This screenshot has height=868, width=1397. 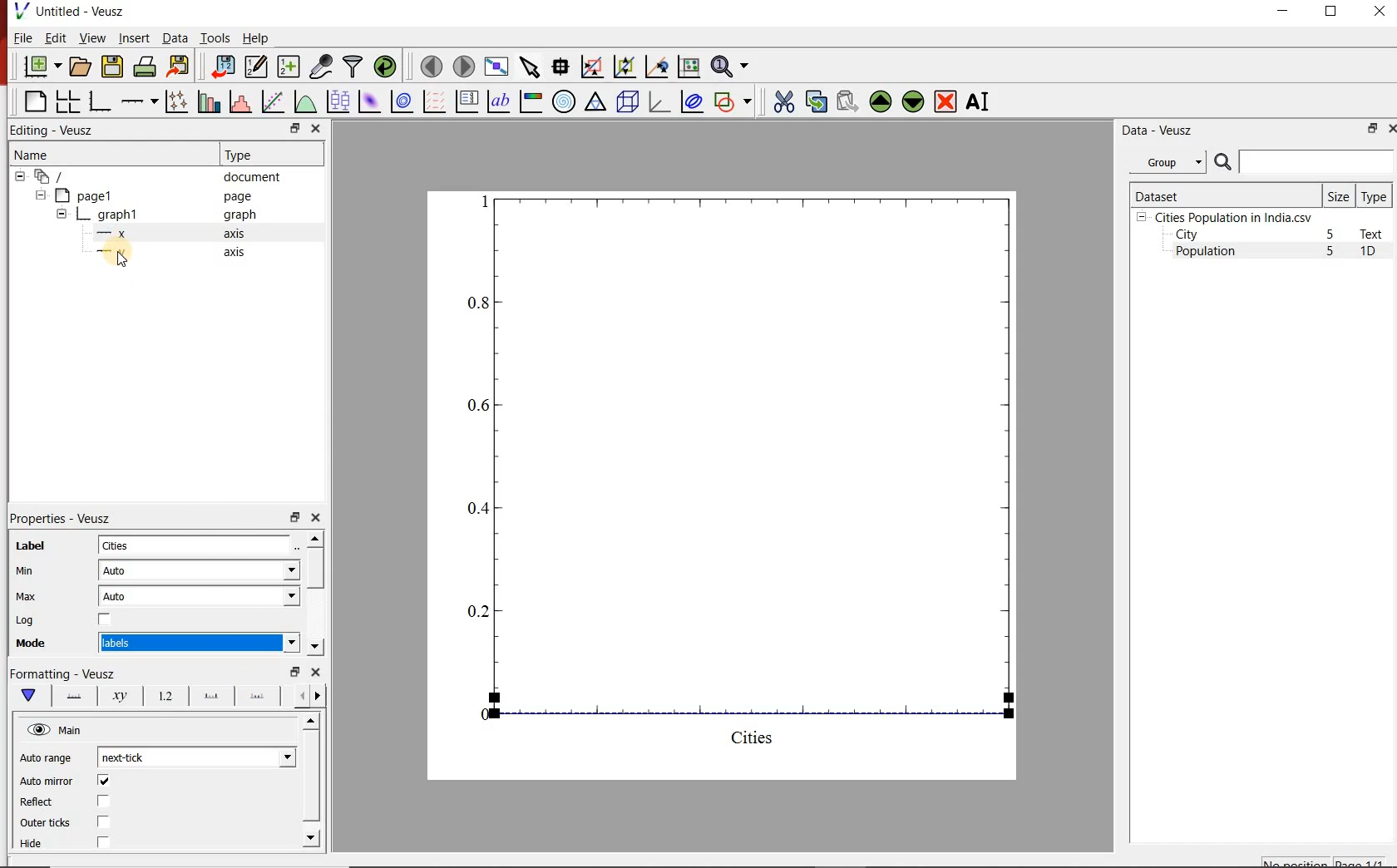 What do you see at coordinates (79, 67) in the screenshot?
I see `open a document` at bounding box center [79, 67].